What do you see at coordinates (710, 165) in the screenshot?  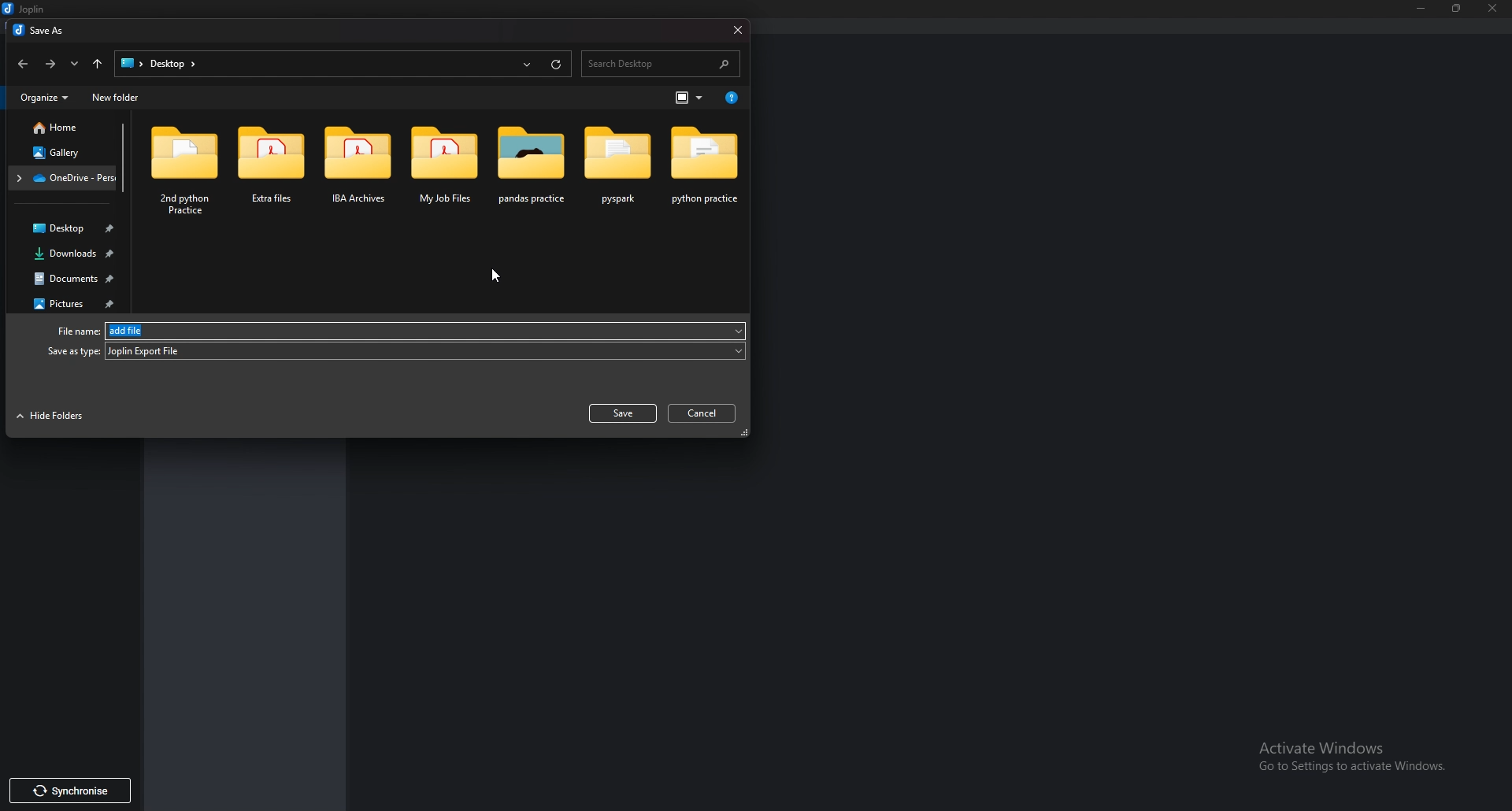 I see `folder` at bounding box center [710, 165].